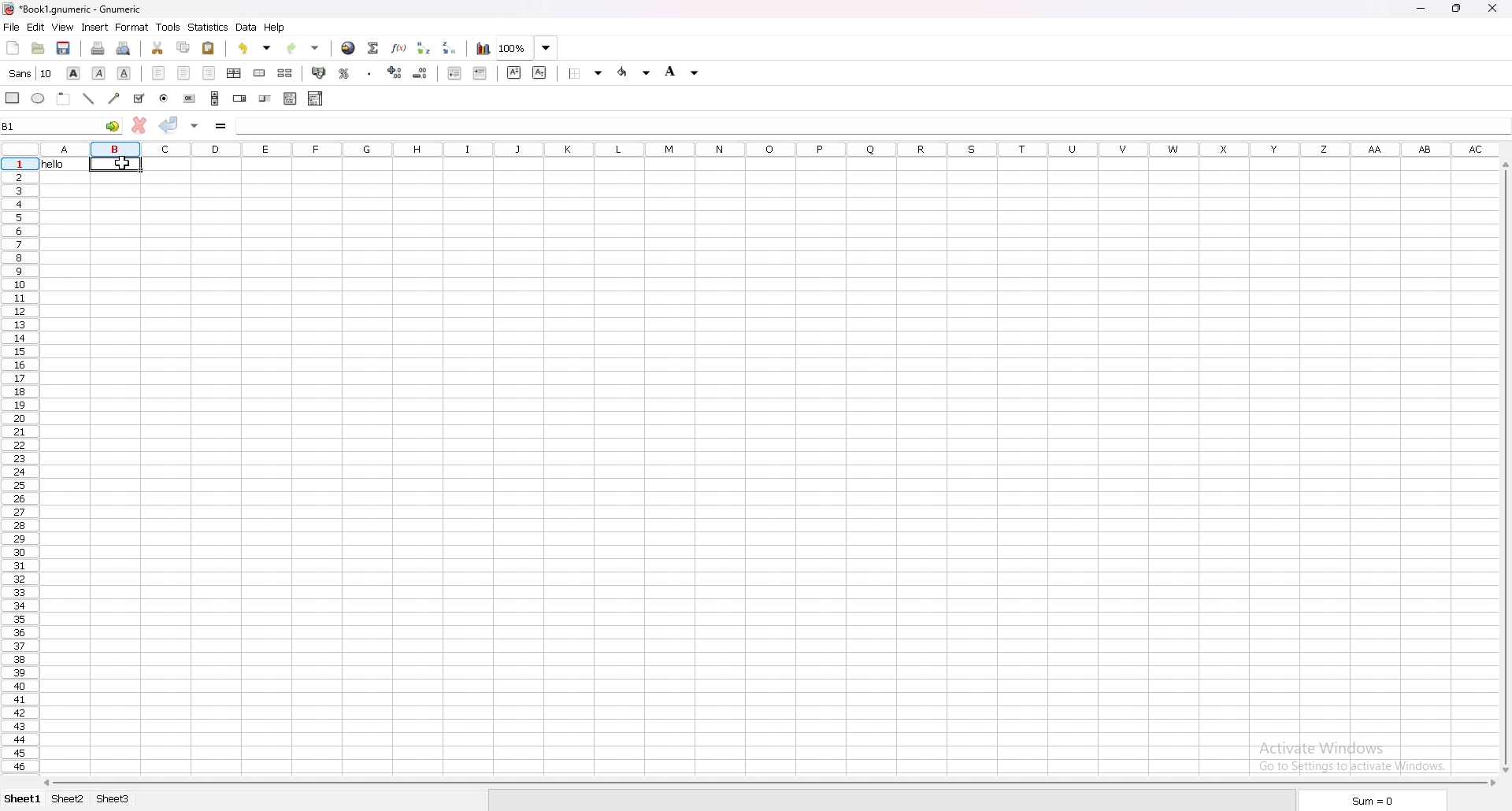  Describe the element at coordinates (214, 98) in the screenshot. I see `create scroll bar` at that location.